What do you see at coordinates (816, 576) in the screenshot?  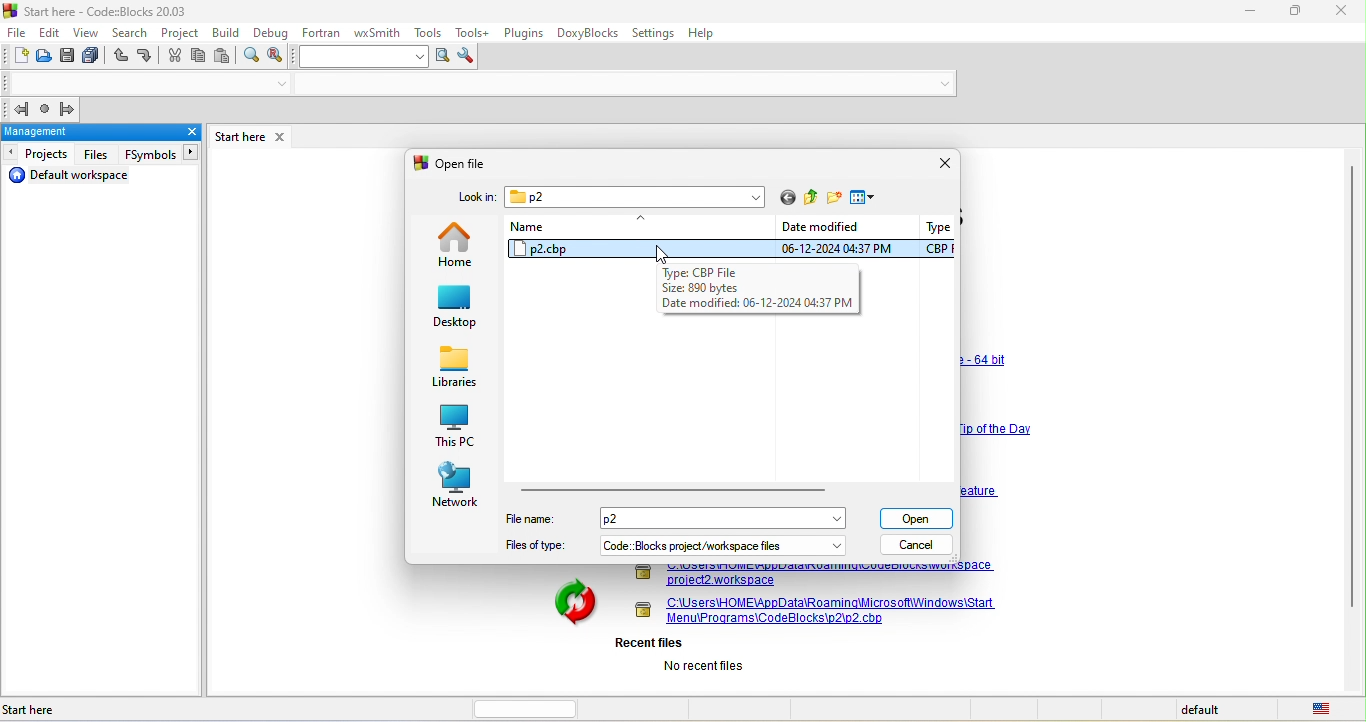 I see `link` at bounding box center [816, 576].